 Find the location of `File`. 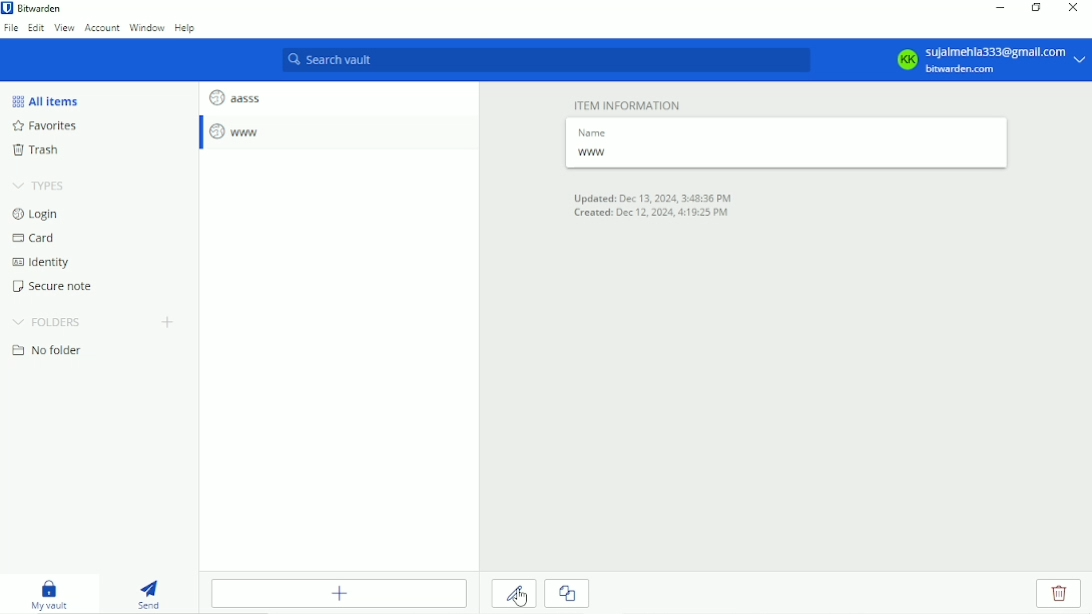

File is located at coordinates (11, 28).